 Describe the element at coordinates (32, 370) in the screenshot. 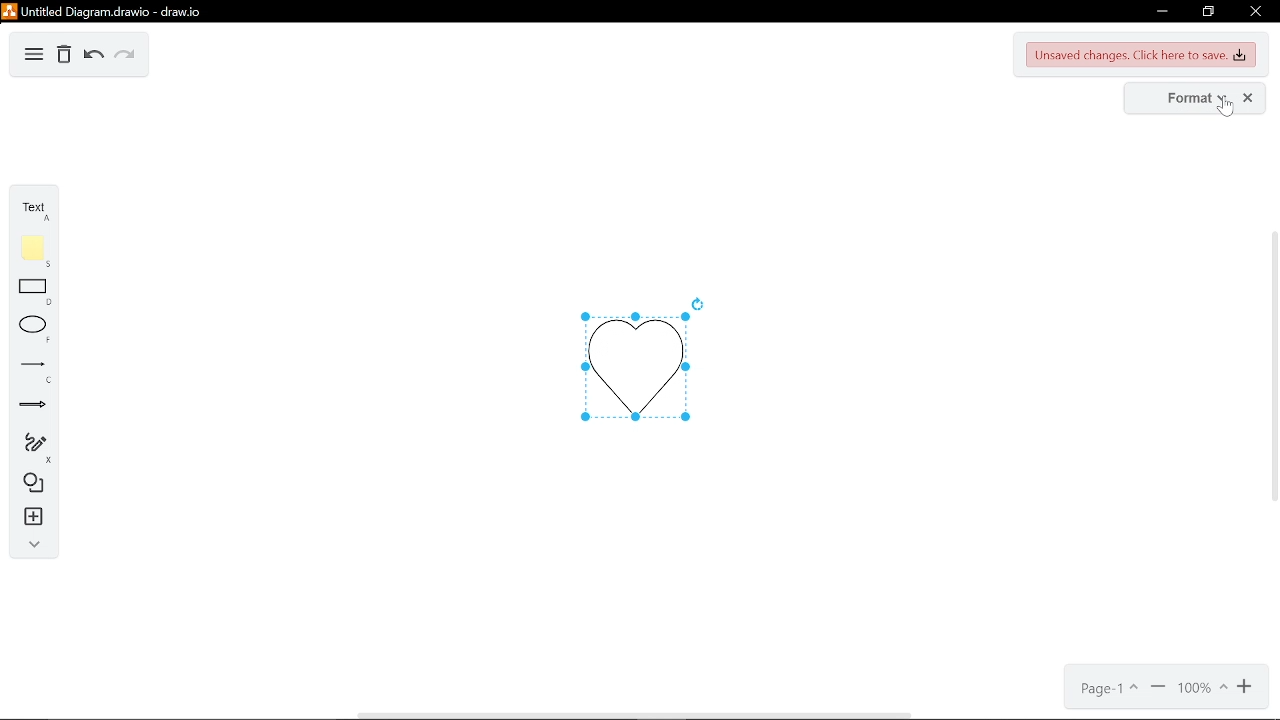

I see `lines` at that location.